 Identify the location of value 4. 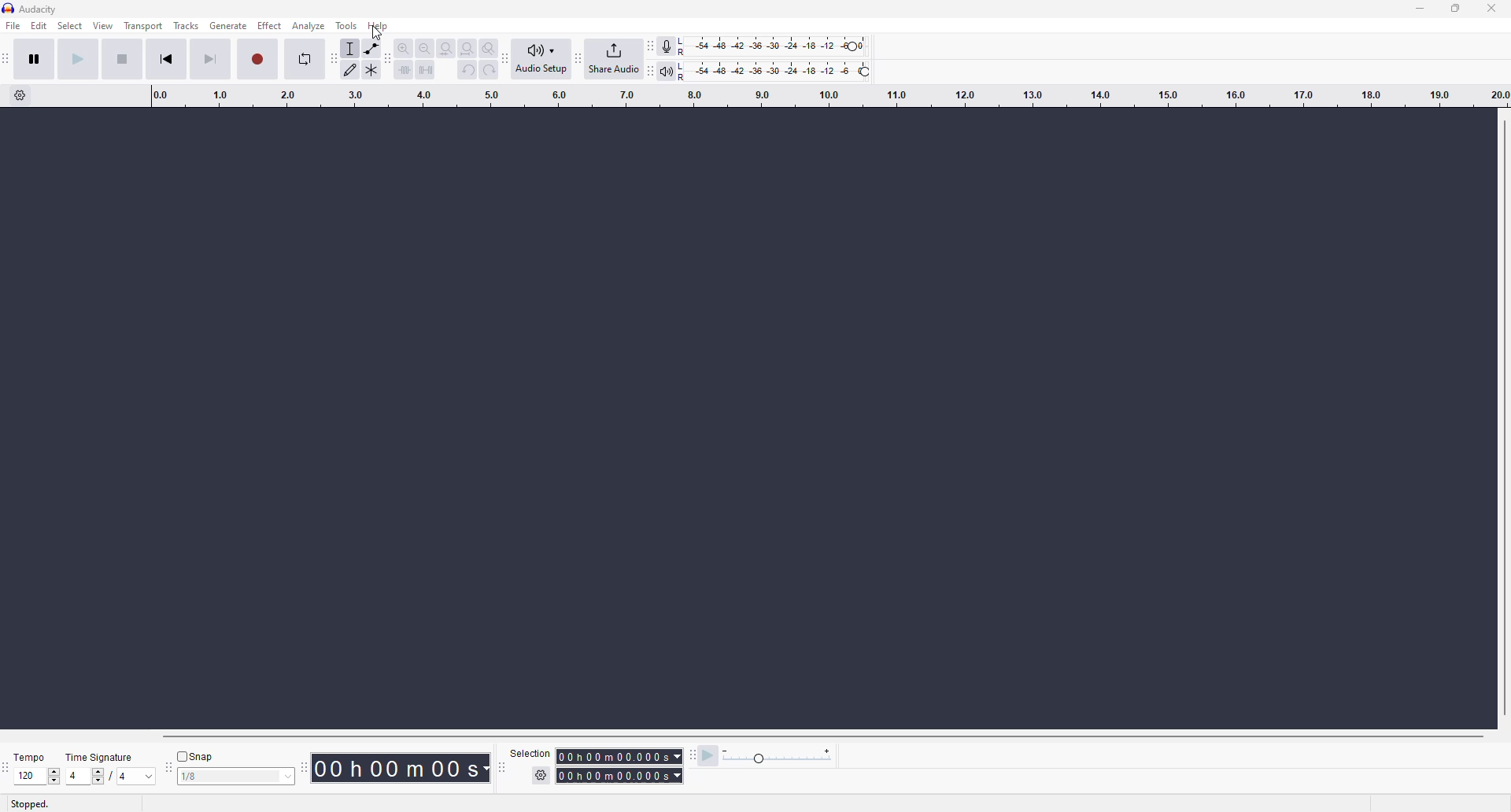
(87, 776).